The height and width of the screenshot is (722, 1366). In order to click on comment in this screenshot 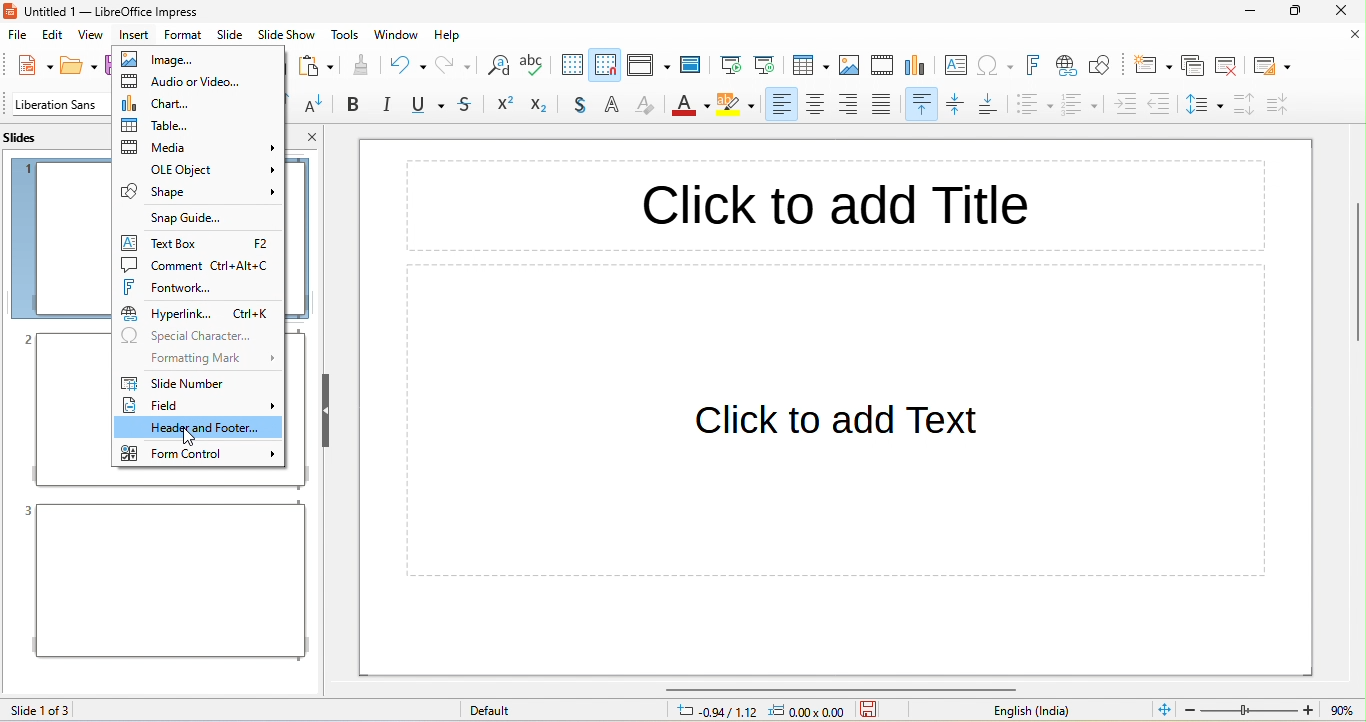, I will do `click(161, 264)`.